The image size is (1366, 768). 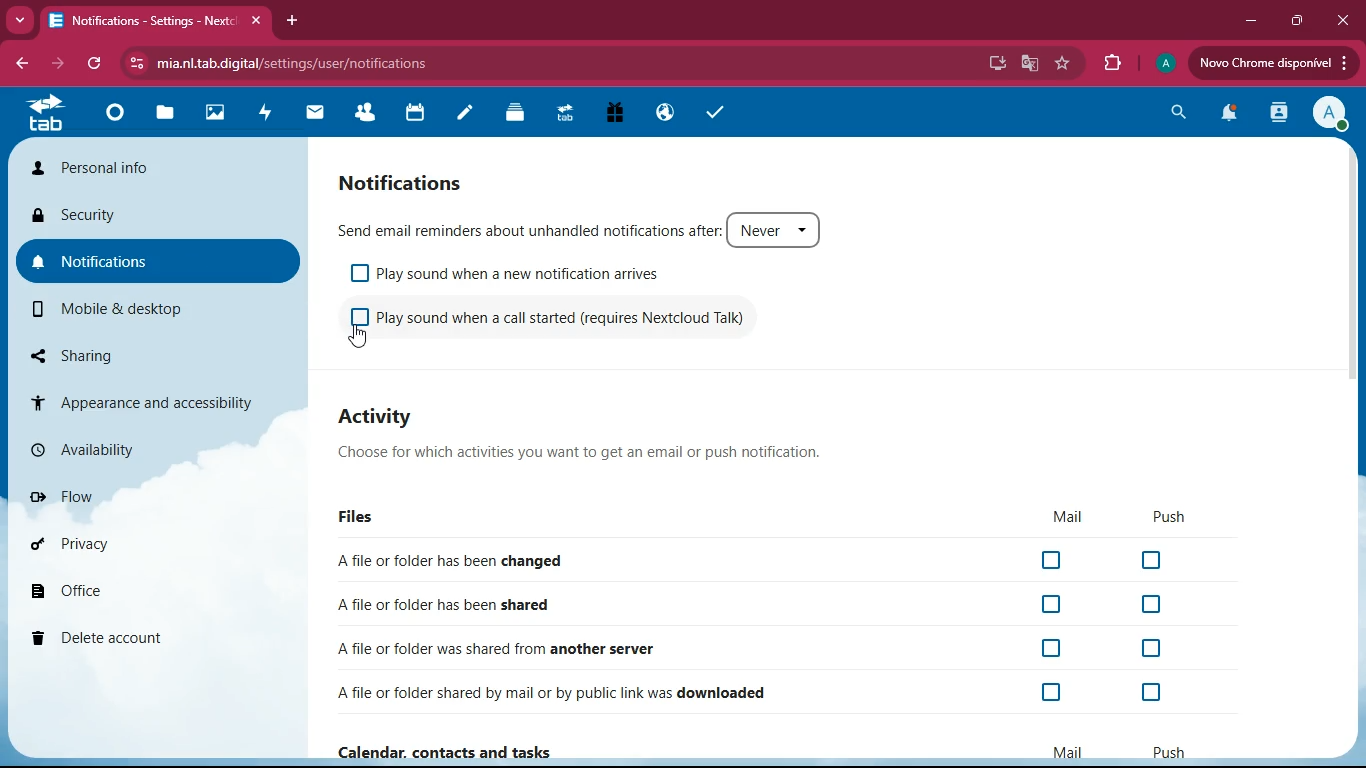 I want to click on sharing, so click(x=67, y=351).